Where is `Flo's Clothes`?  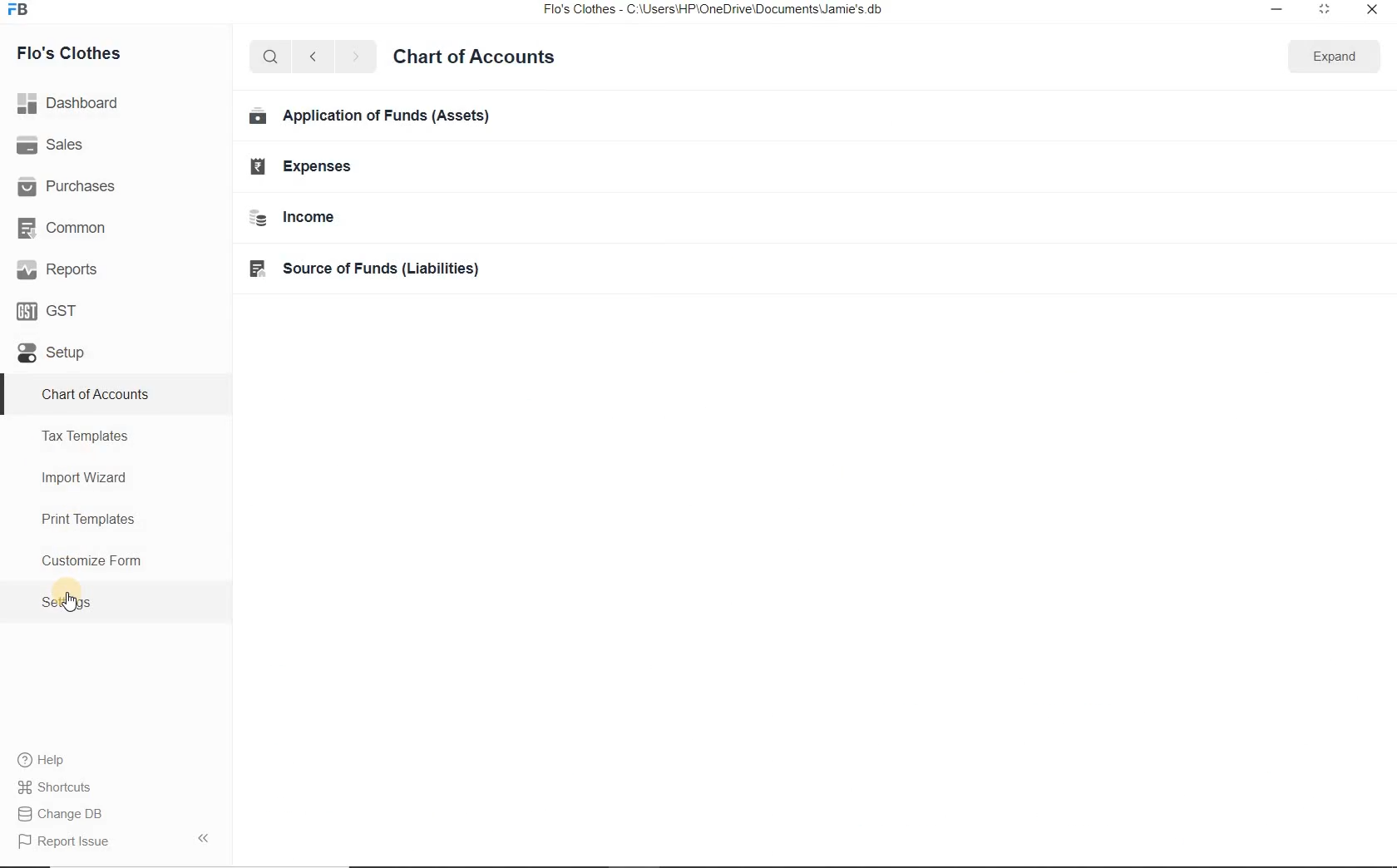
Flo's Clothes is located at coordinates (67, 55).